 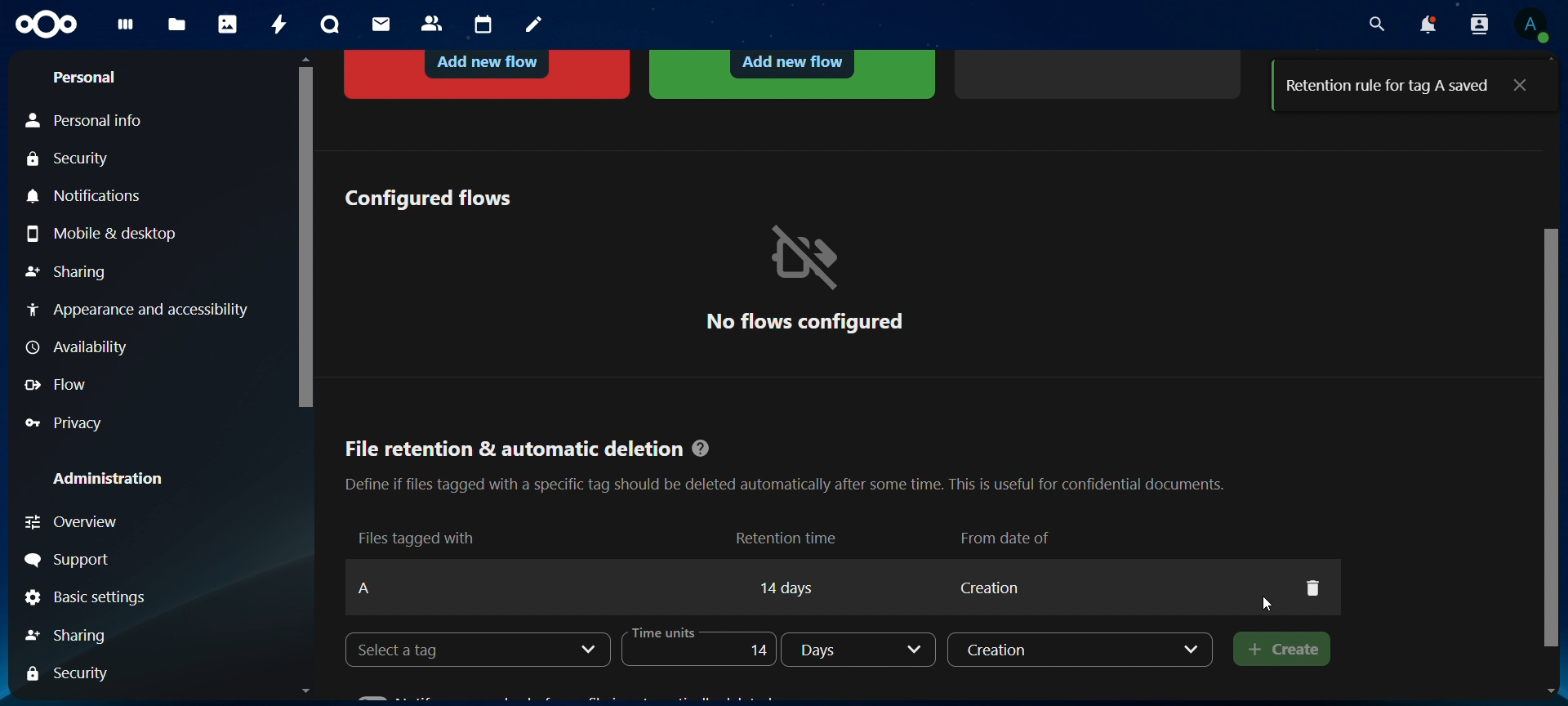 I want to click on notifications, so click(x=89, y=197).